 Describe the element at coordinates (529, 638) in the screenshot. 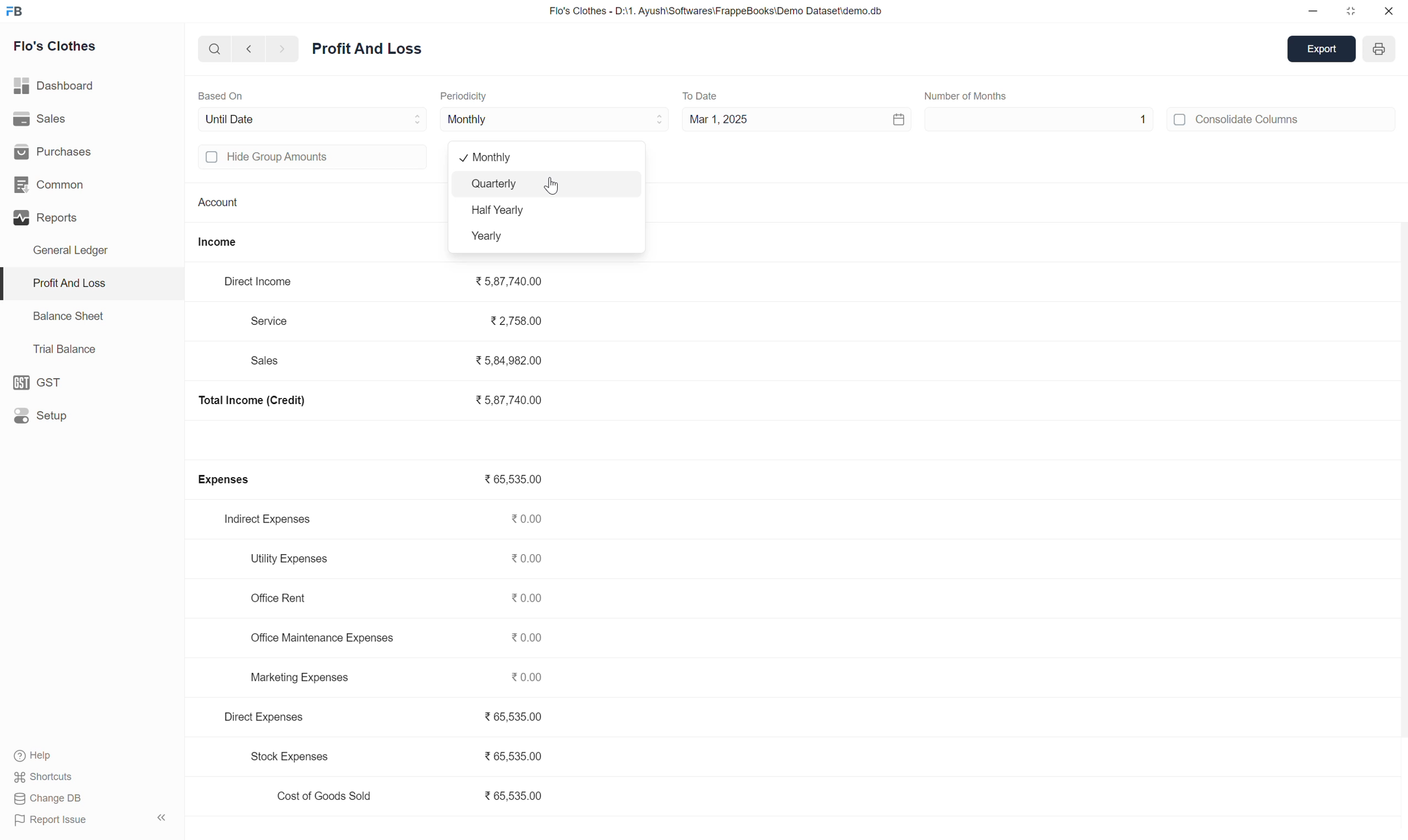

I see `₹0.00` at that location.